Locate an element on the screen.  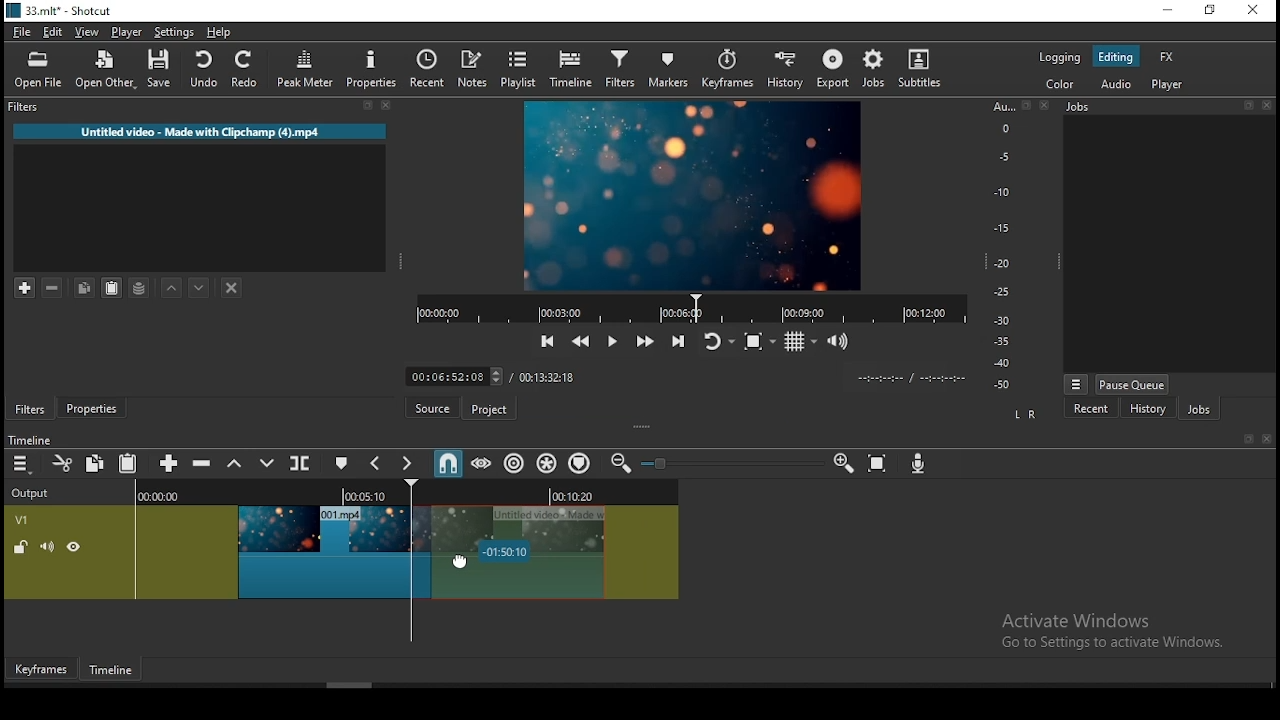
‘Untitled video - Made with Clipchamp (4).mp4 is located at coordinates (199, 132).